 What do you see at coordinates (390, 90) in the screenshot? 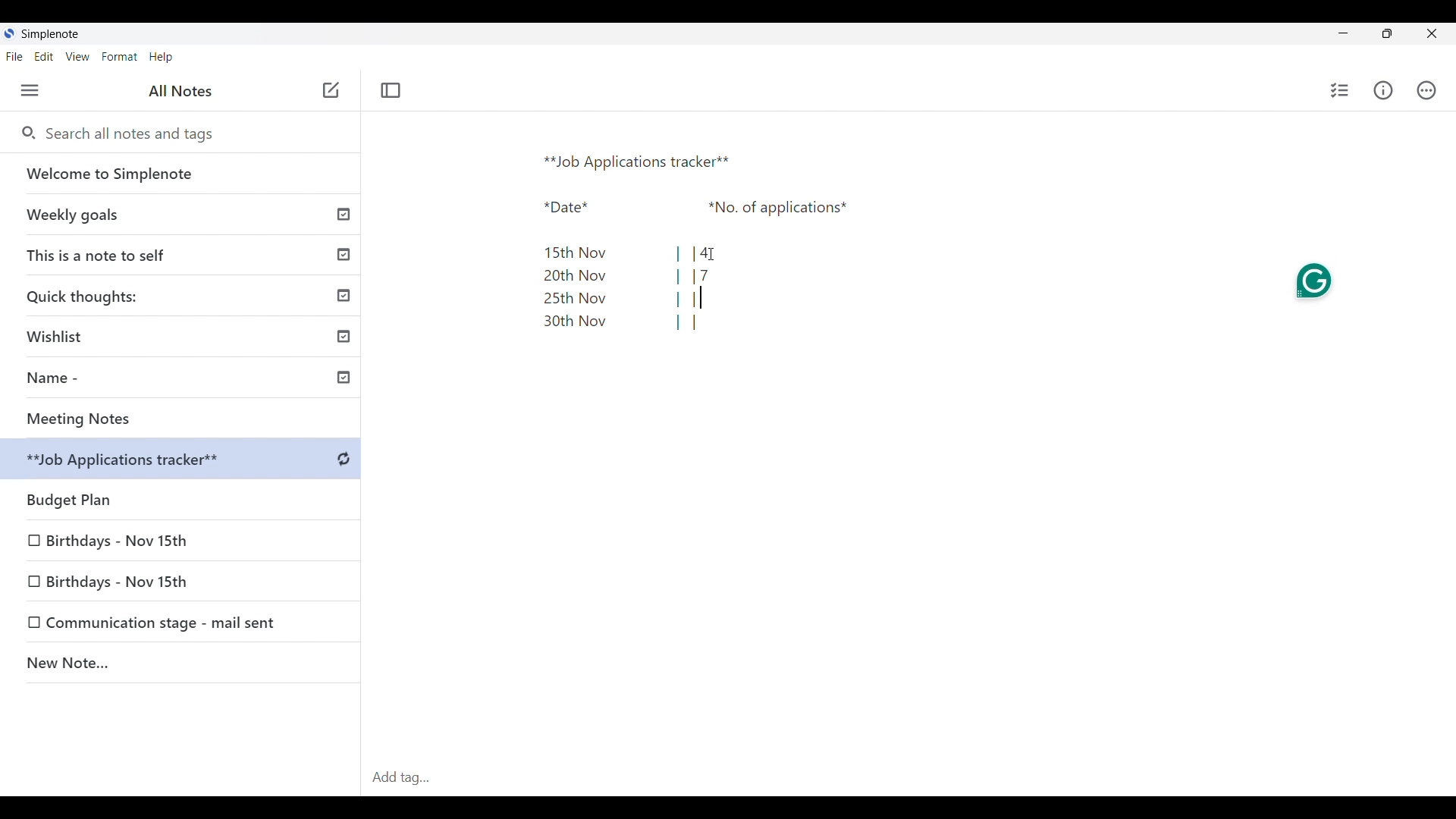
I see `Toggle focus mode` at bounding box center [390, 90].